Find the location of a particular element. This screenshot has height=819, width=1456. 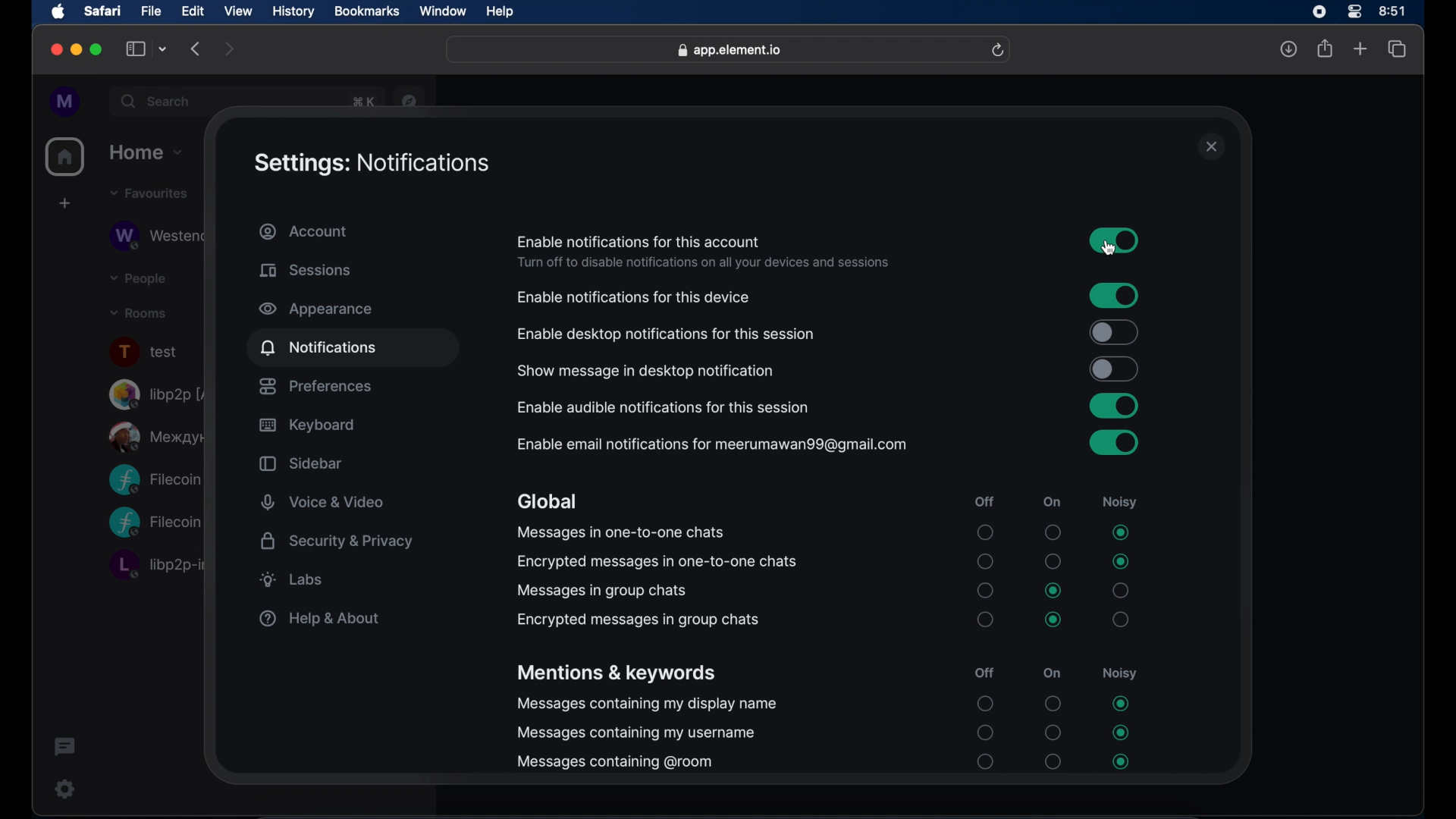

show tab overview is located at coordinates (1397, 49).